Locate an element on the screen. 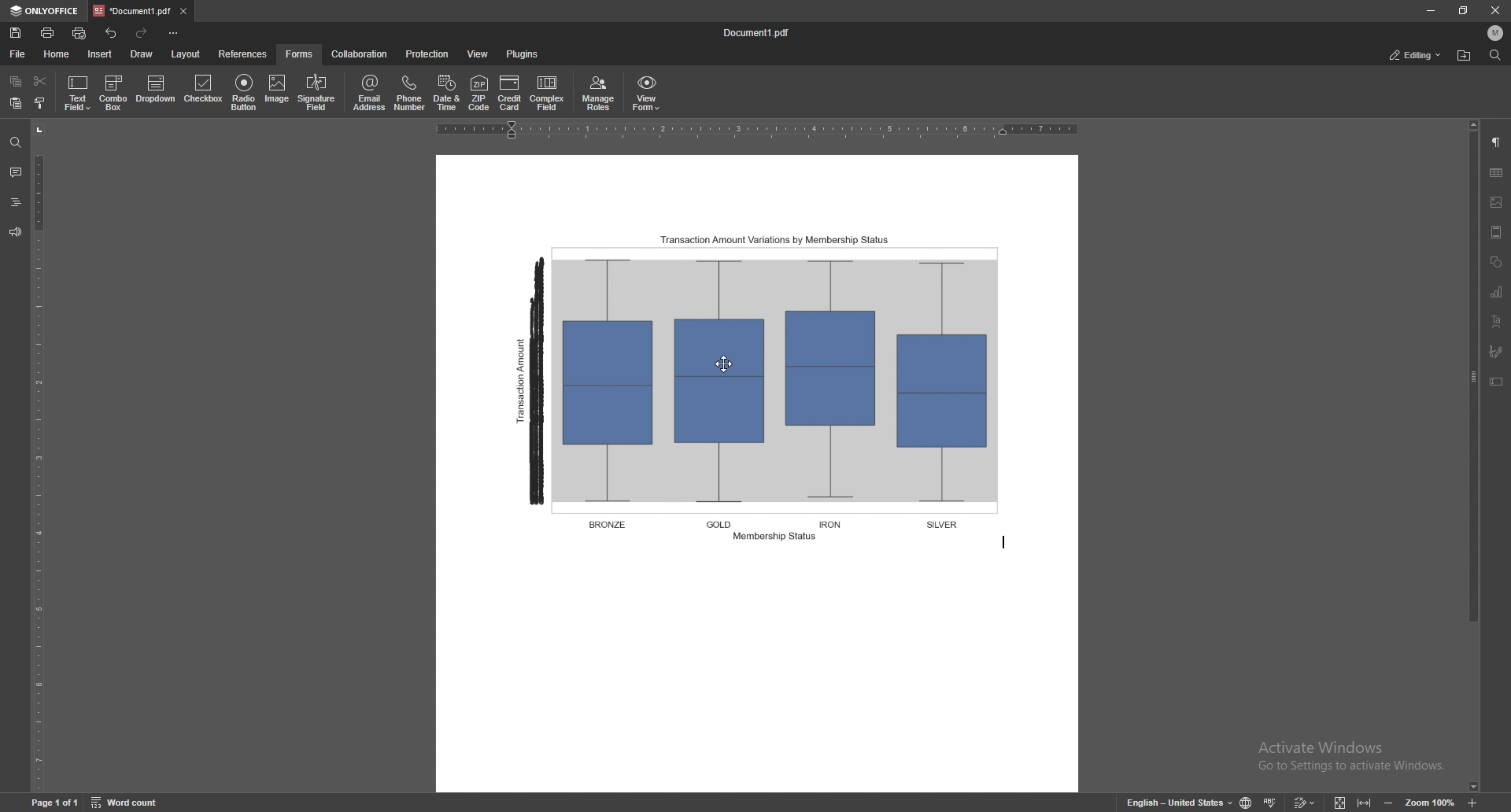 The width and height of the screenshot is (1511, 812). combo box is located at coordinates (116, 92).